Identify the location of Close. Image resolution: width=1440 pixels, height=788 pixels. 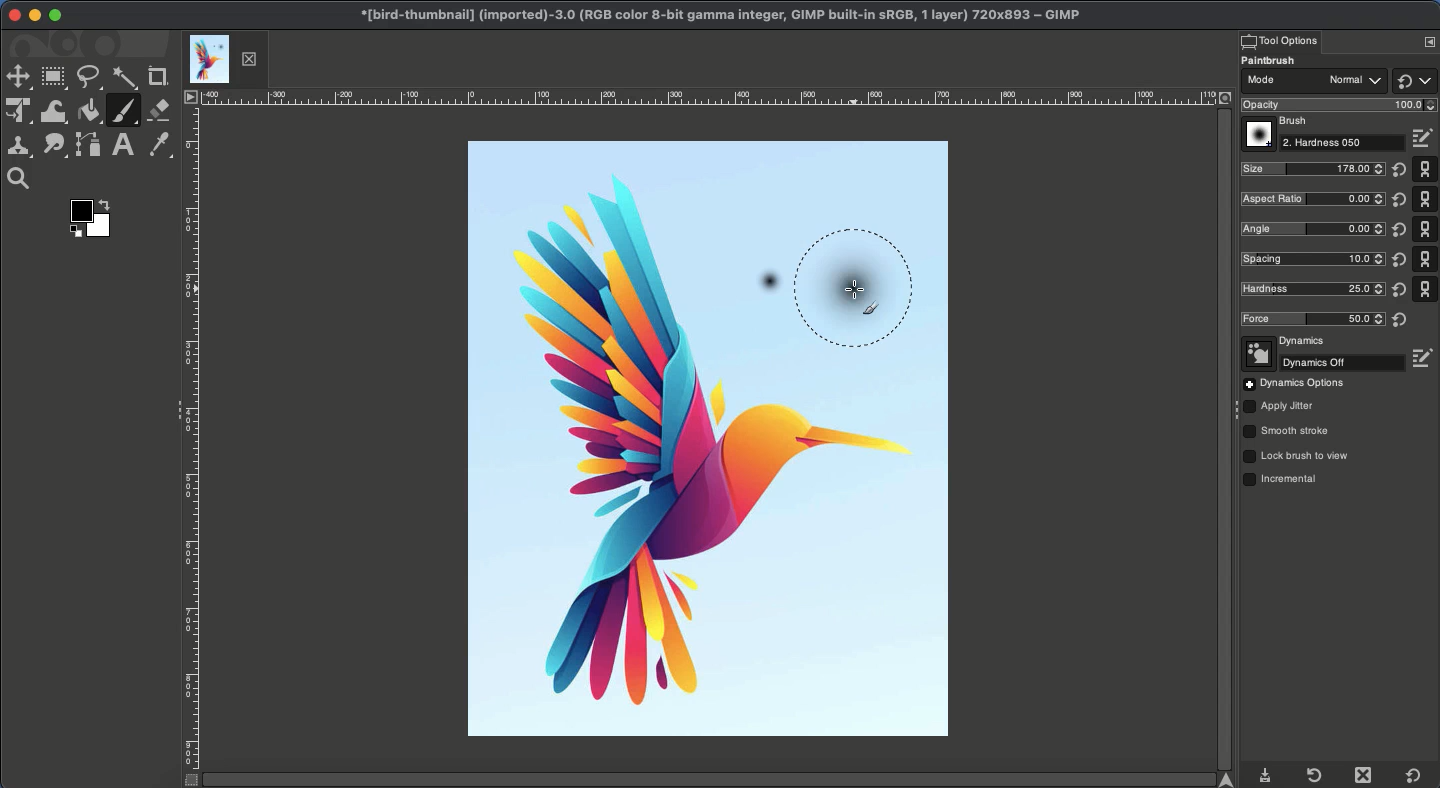
(1367, 775).